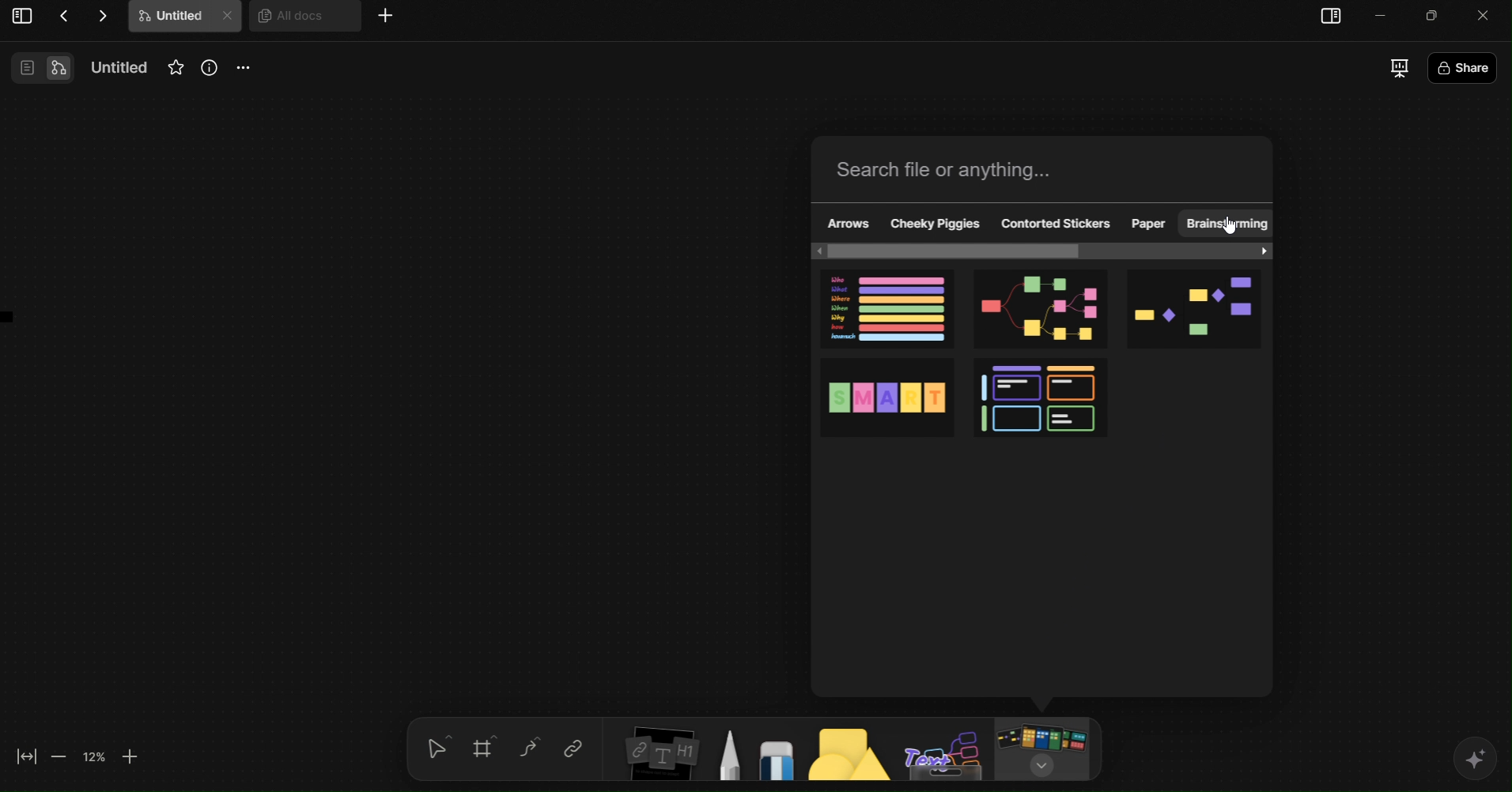 This screenshot has width=1512, height=792. What do you see at coordinates (21, 18) in the screenshot?
I see `View` at bounding box center [21, 18].